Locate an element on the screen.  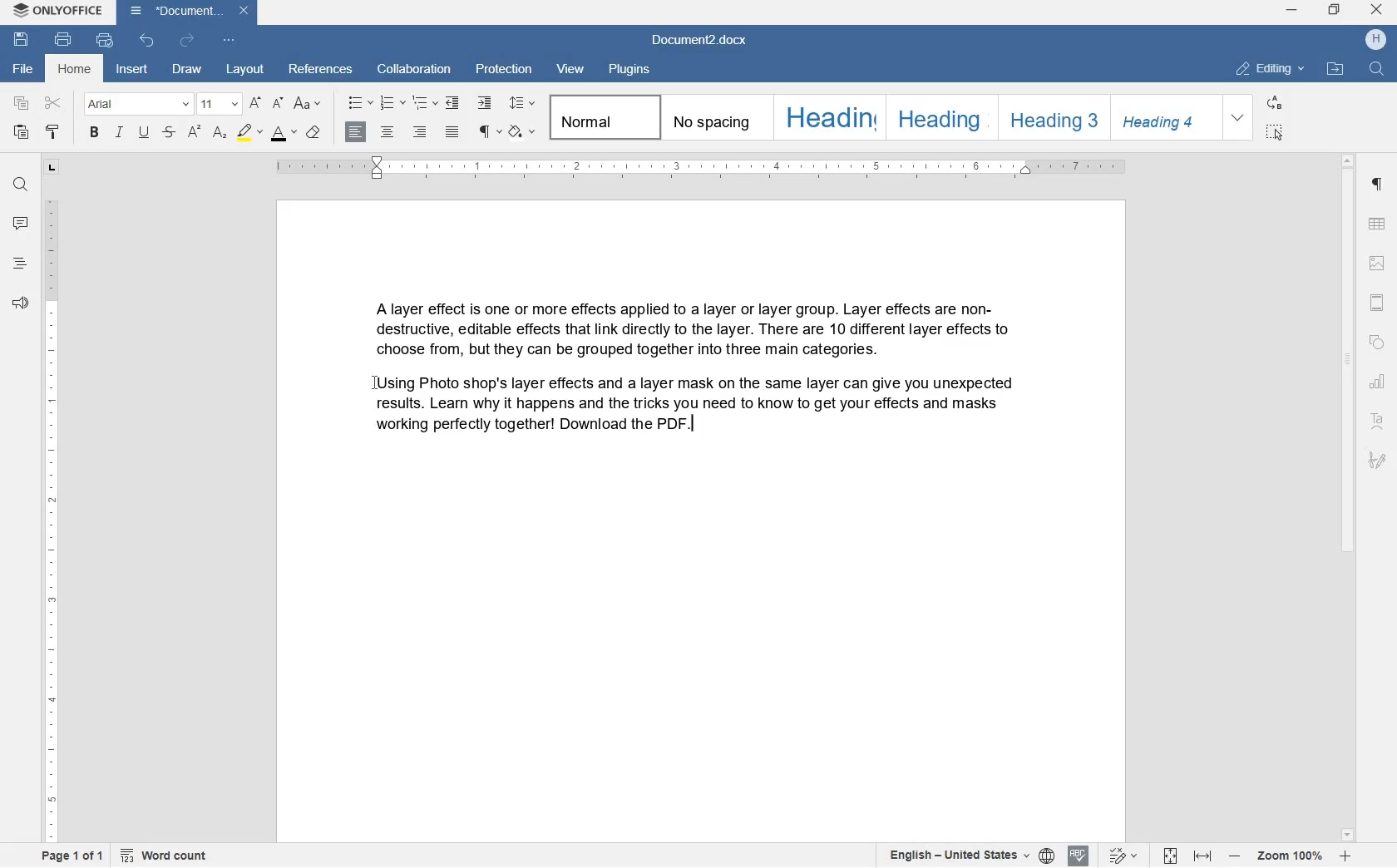
COMMENTS is located at coordinates (19, 223).